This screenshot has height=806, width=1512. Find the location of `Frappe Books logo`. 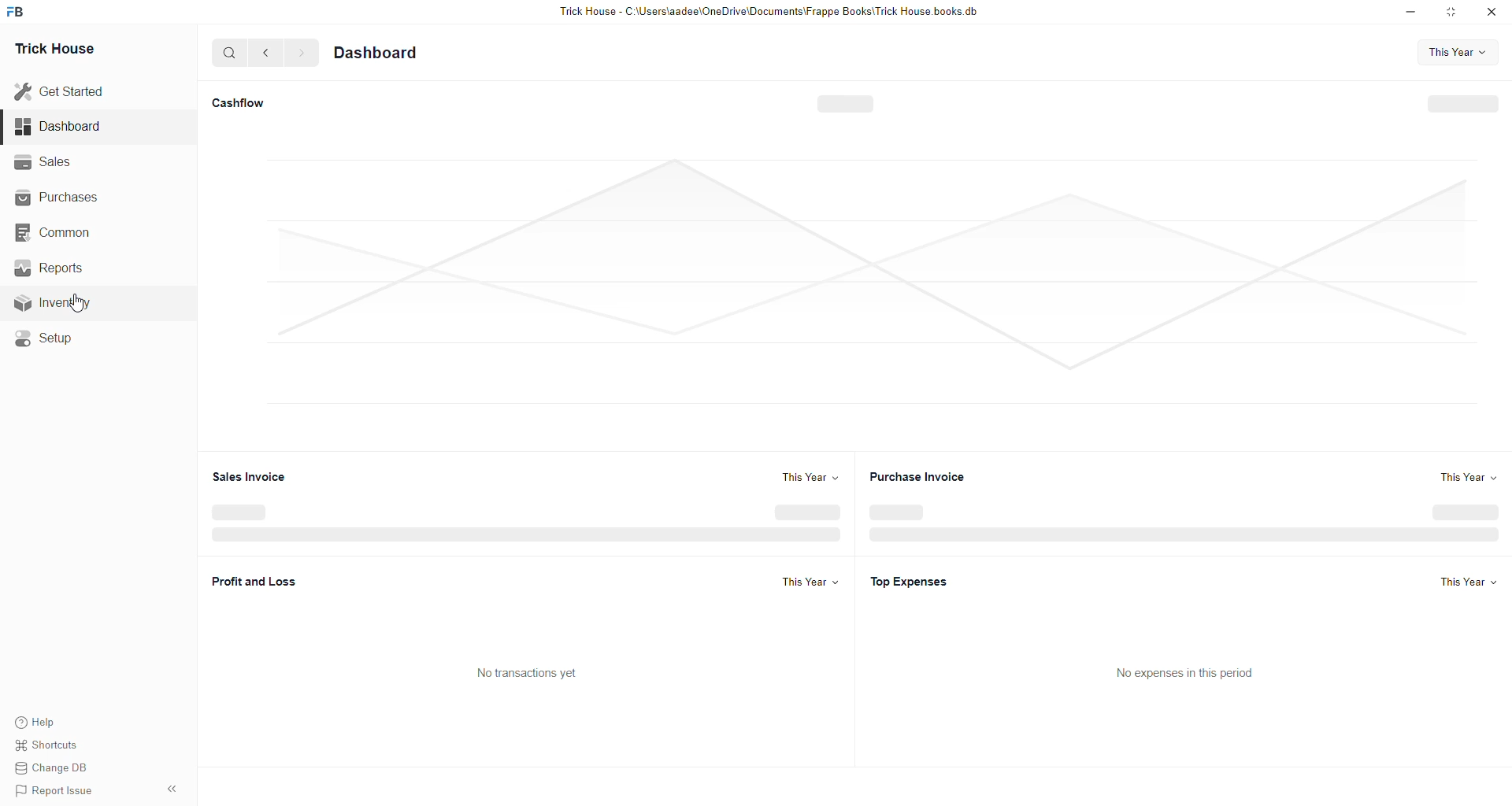

Frappe Books logo is located at coordinates (17, 14).